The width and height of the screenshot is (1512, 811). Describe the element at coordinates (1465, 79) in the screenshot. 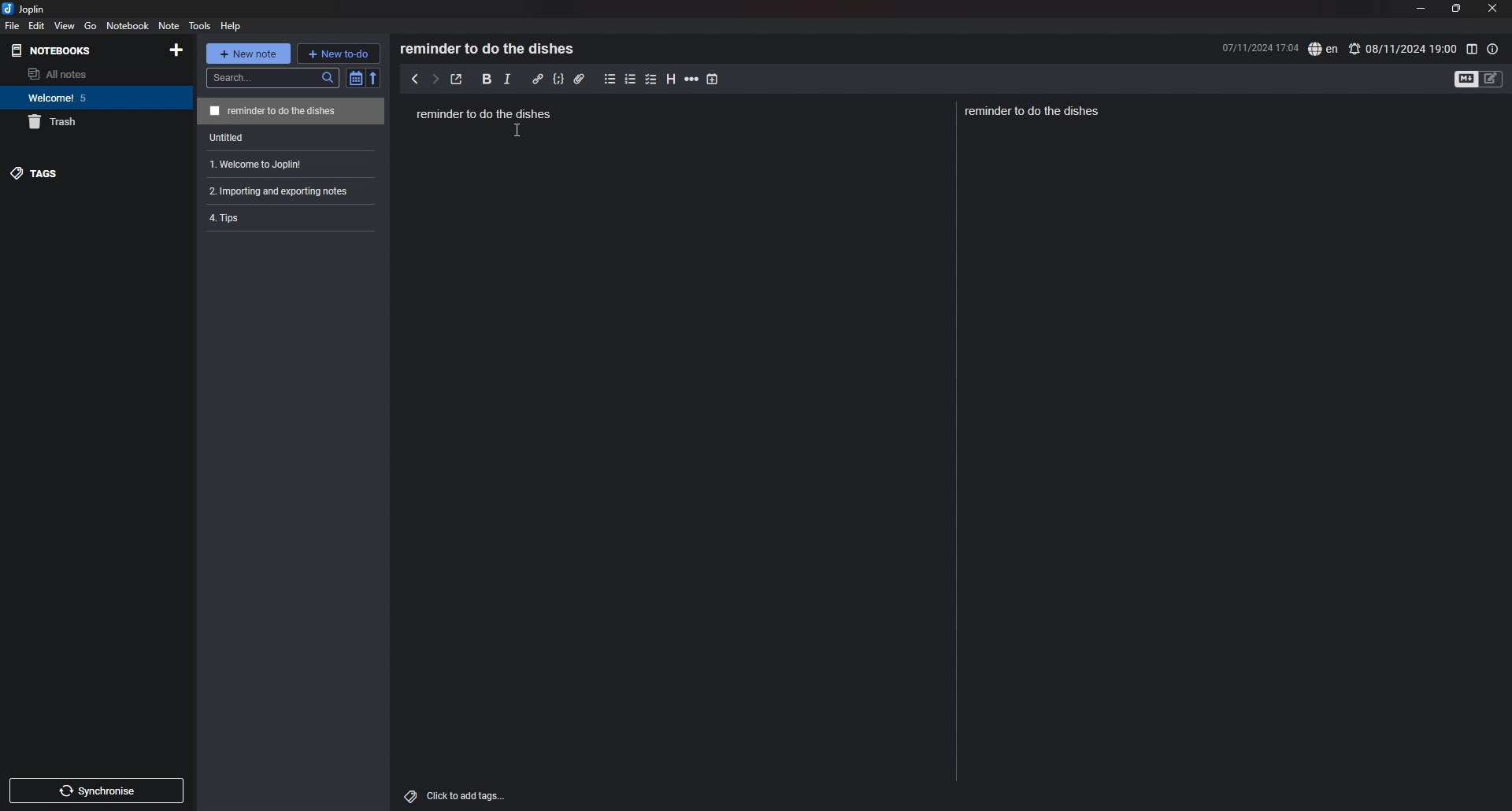

I see `toggle editor` at that location.